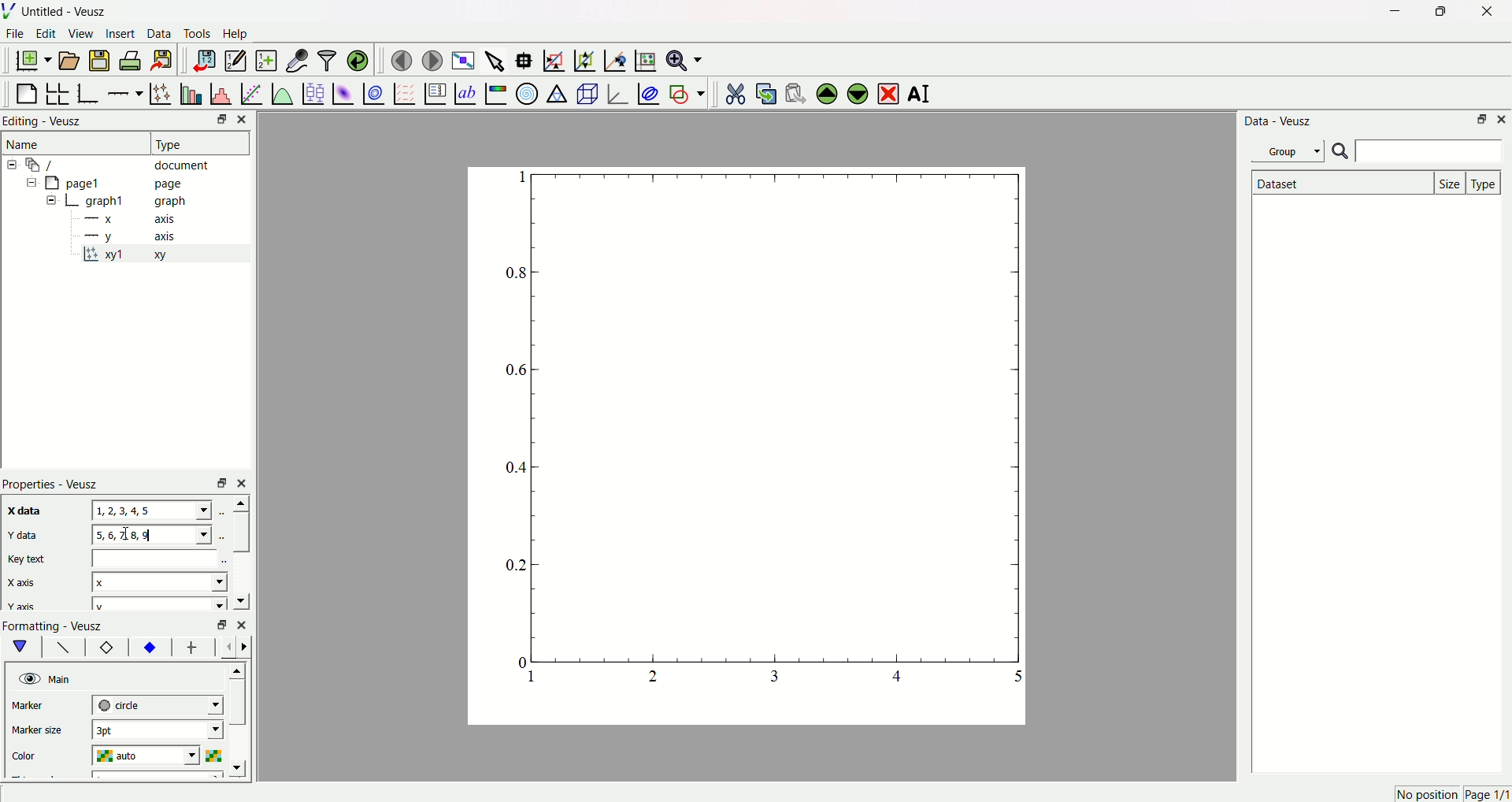  I want to click on Name, so click(26, 144).